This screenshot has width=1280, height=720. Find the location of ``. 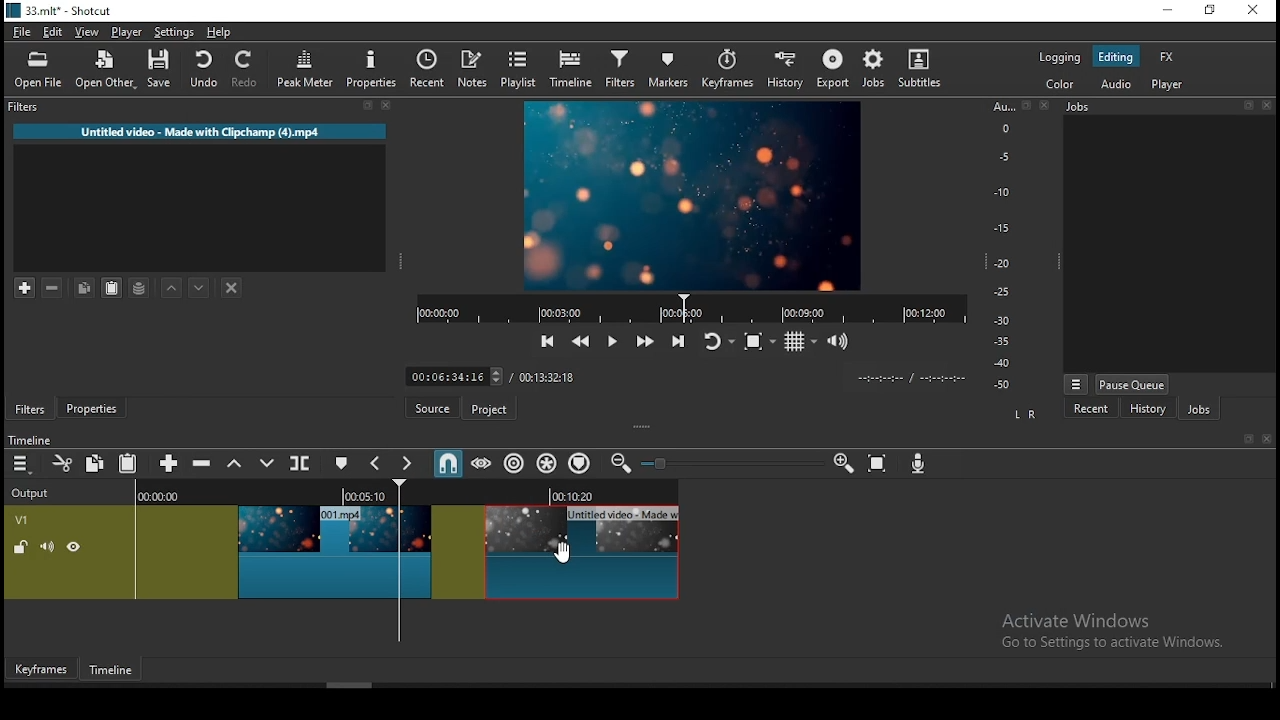

 is located at coordinates (1266, 440).